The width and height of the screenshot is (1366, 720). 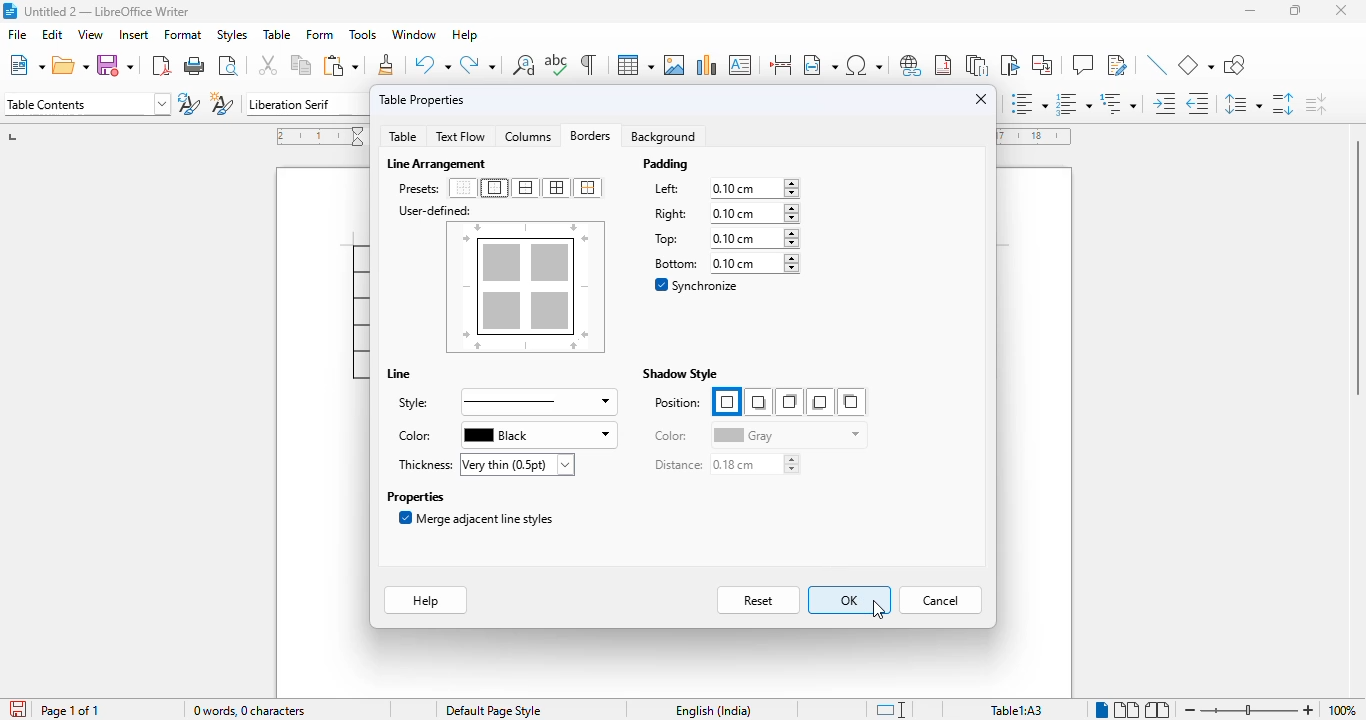 I want to click on toggle print preview, so click(x=229, y=65).